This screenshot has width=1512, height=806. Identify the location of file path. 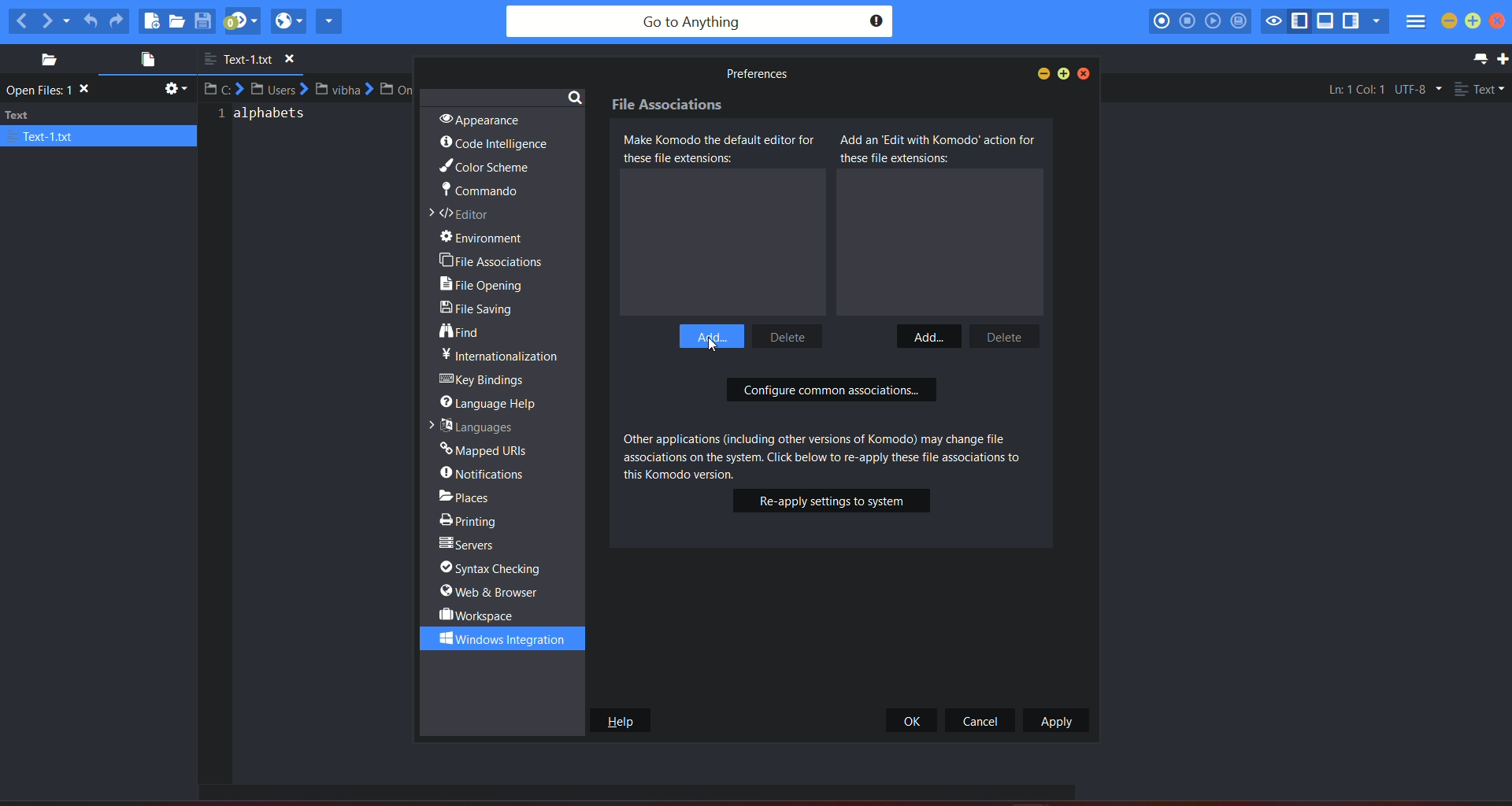
(311, 89).